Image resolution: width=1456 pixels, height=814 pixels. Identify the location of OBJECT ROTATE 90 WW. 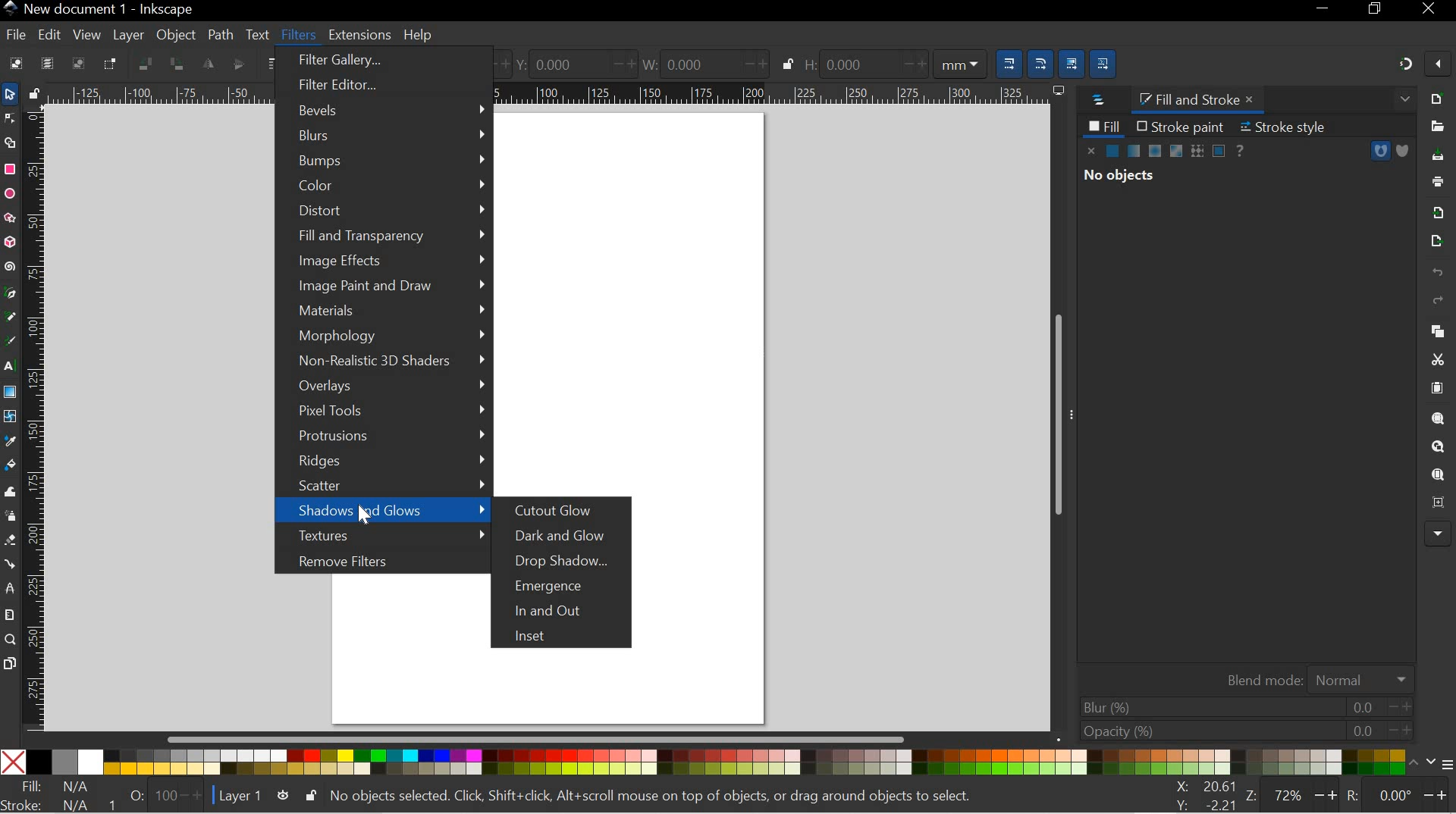
(143, 61).